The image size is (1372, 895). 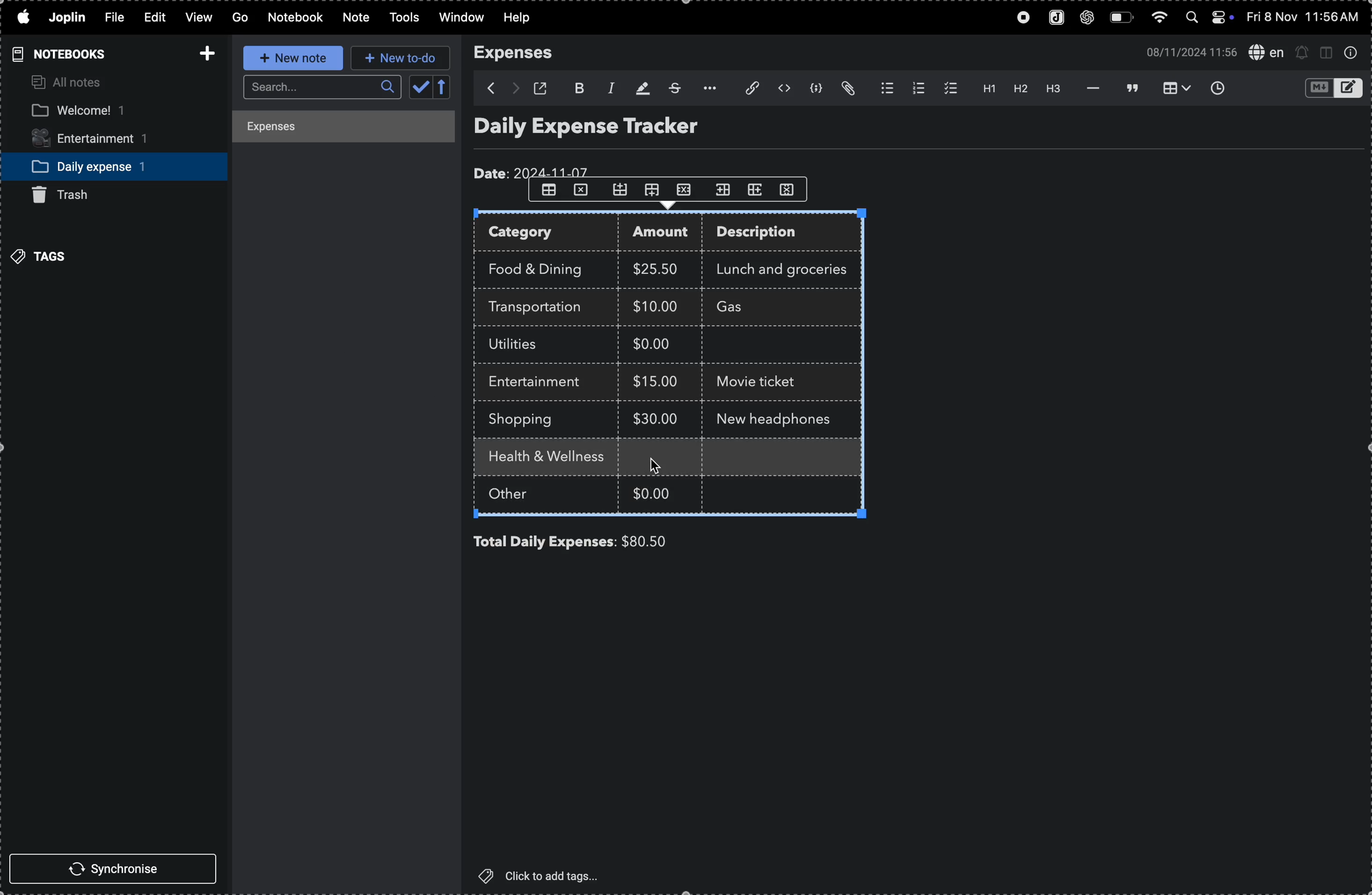 I want to click on info, so click(x=1351, y=53).